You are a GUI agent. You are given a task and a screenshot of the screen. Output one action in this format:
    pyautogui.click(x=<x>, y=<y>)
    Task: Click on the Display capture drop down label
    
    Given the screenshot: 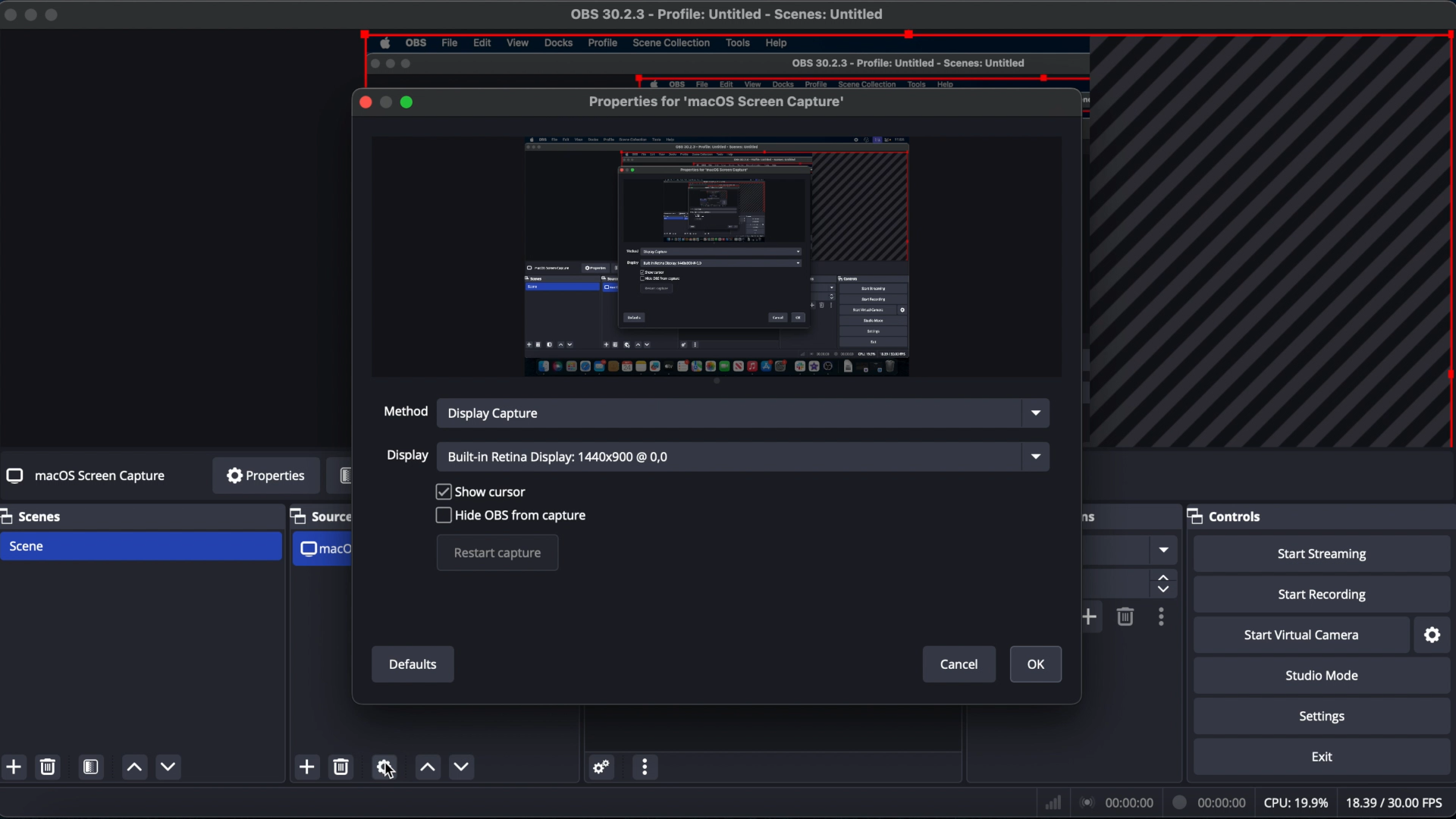 What is the action you would take?
    pyautogui.click(x=492, y=412)
    